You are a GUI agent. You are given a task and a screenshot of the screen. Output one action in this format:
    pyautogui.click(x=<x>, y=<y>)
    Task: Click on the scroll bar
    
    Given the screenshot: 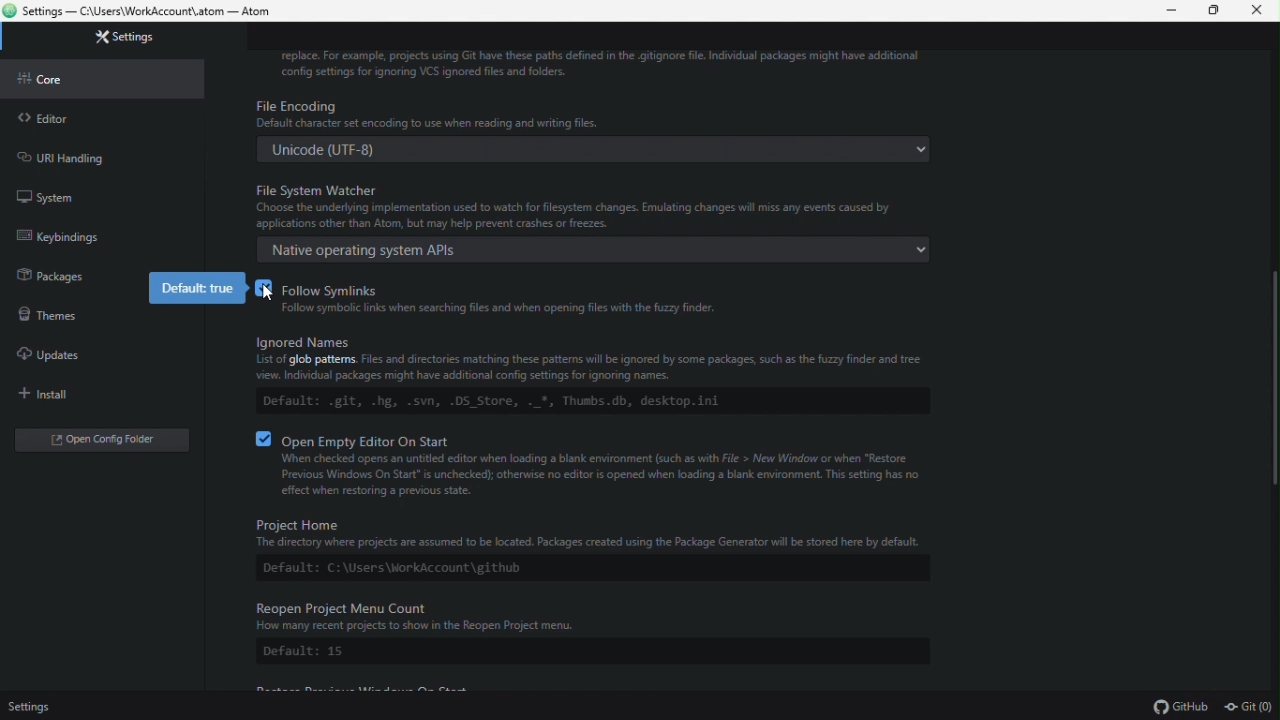 What is the action you would take?
    pyautogui.click(x=1271, y=373)
    